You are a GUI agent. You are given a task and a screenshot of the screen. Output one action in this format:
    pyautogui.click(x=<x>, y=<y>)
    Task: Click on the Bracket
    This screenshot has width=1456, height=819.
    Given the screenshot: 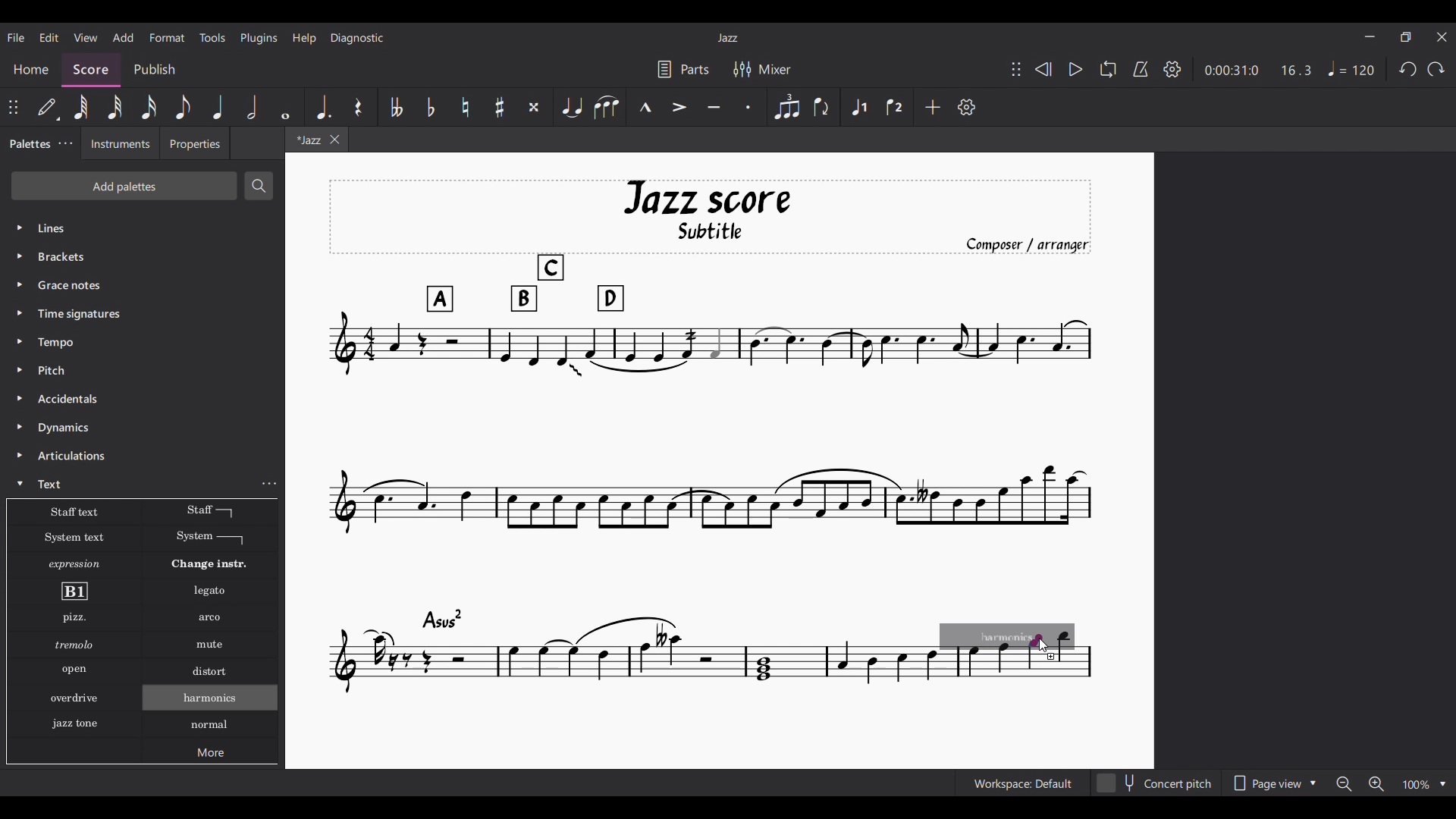 What is the action you would take?
    pyautogui.click(x=72, y=258)
    